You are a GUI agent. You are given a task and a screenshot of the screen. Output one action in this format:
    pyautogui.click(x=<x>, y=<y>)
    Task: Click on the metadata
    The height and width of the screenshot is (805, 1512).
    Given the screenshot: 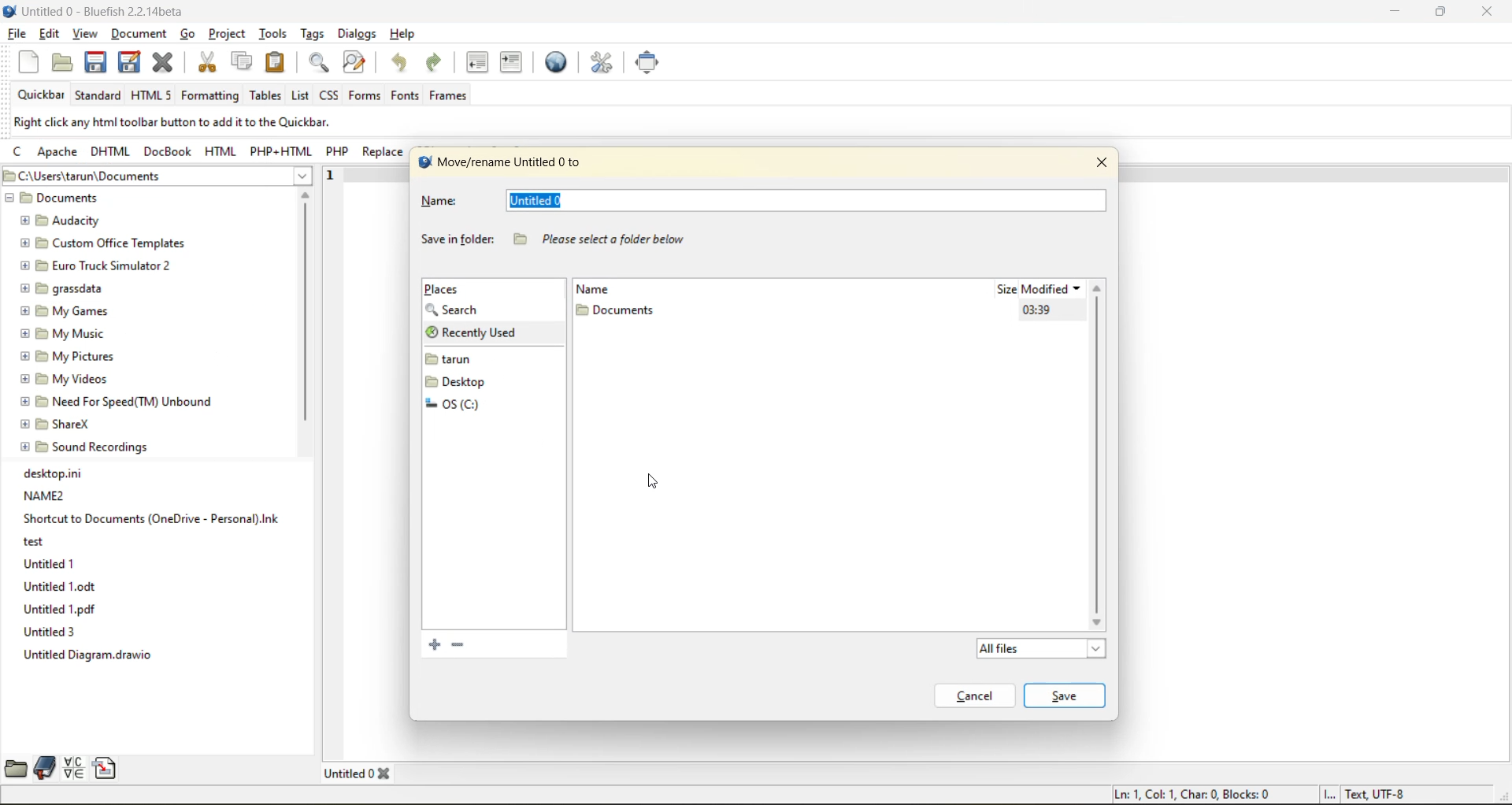 What is the action you would take?
    pyautogui.click(x=198, y=123)
    